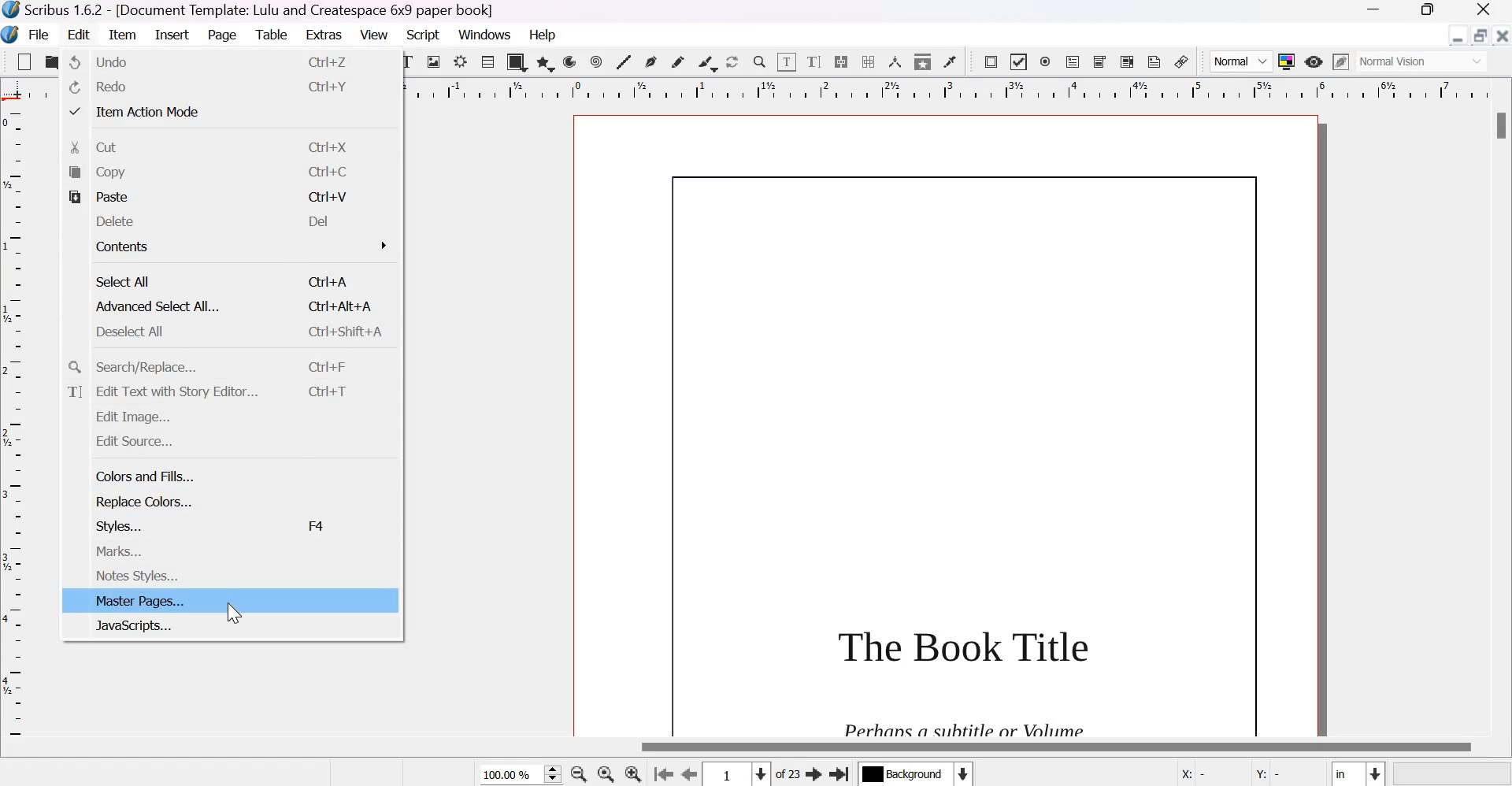 The width and height of the screenshot is (1512, 786). Describe the element at coordinates (75, 393) in the screenshot. I see `text icon` at that location.